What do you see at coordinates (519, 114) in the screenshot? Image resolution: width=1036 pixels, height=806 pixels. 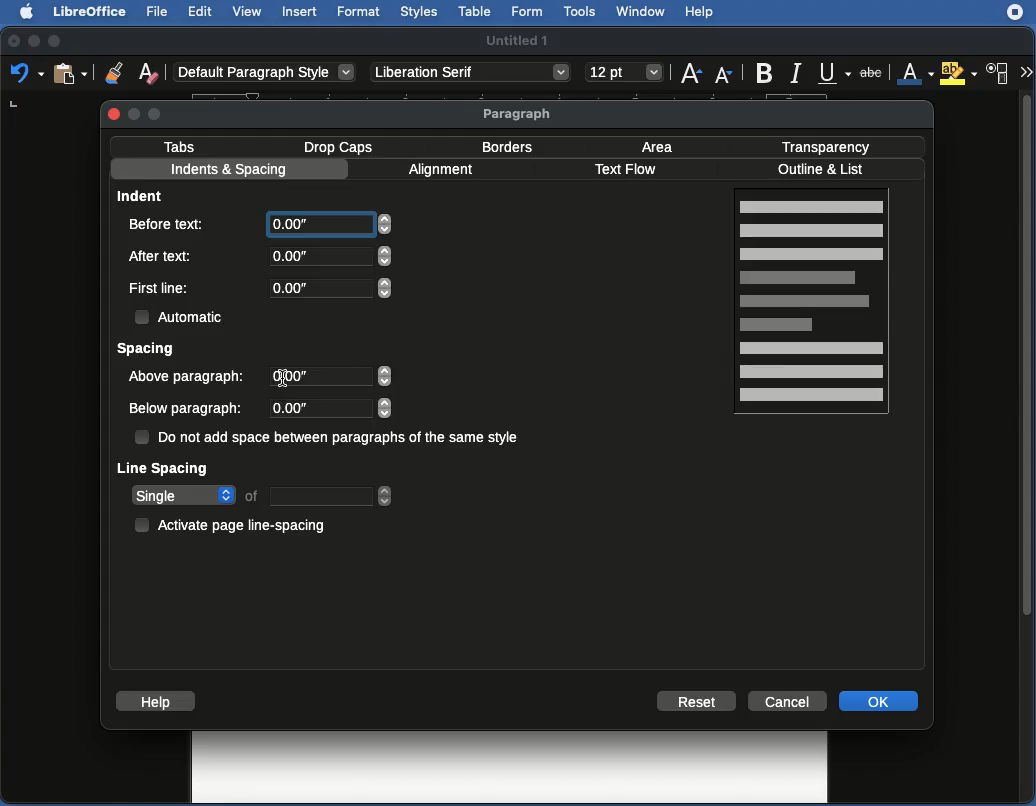 I see `Paragraph` at bounding box center [519, 114].